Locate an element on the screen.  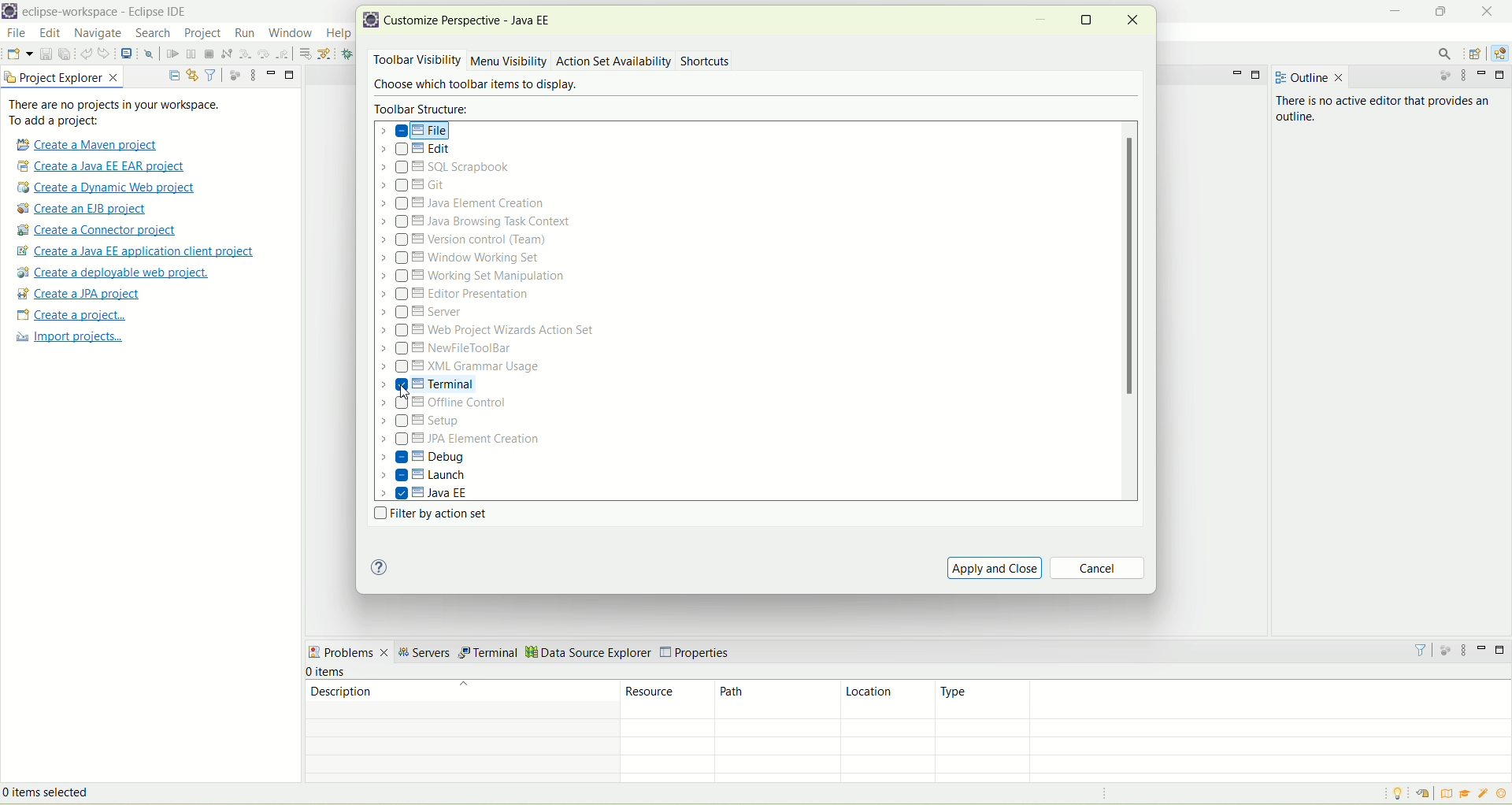
data source explorer is located at coordinates (588, 651).